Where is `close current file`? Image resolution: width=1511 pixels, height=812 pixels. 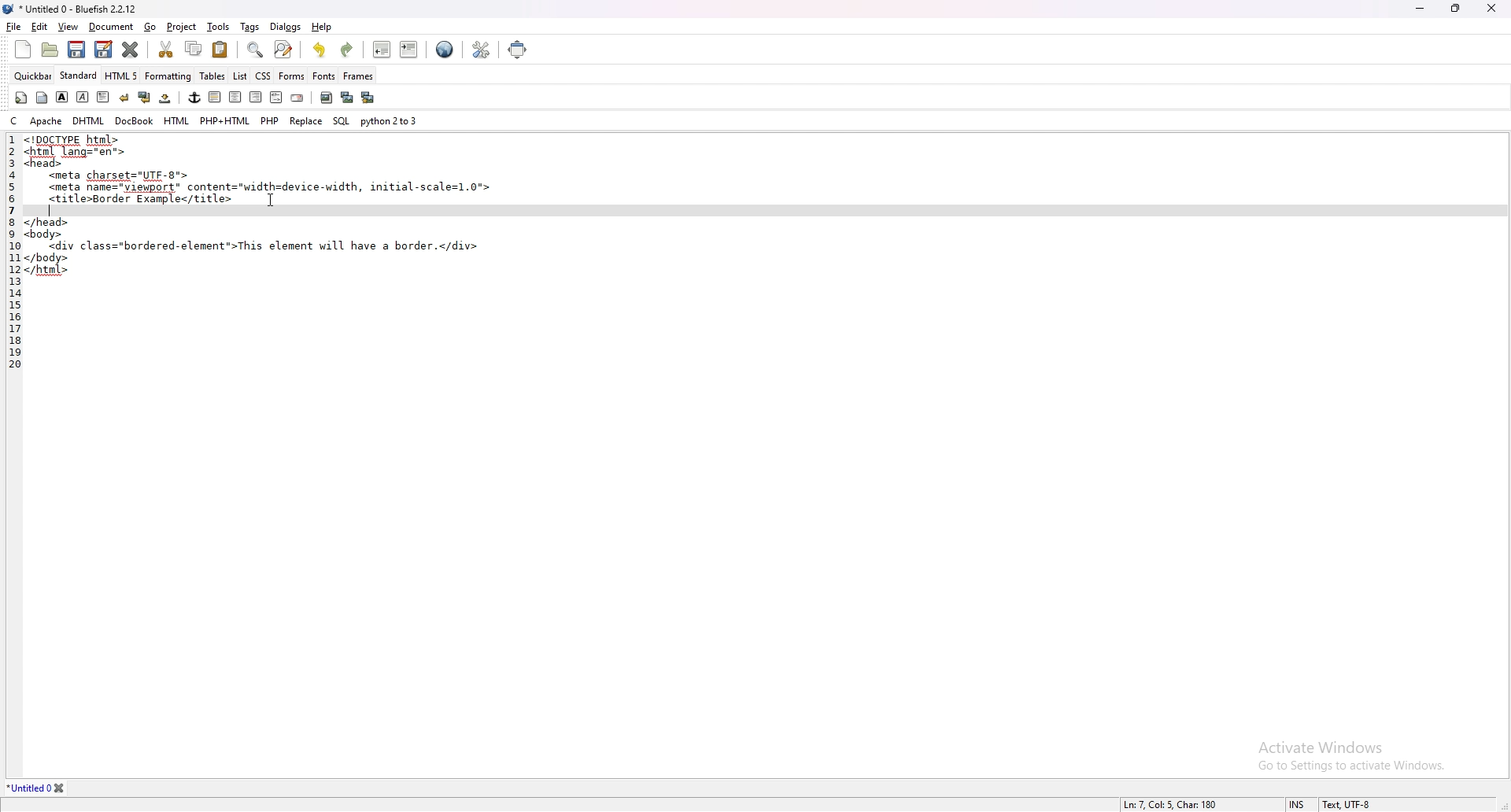 close current file is located at coordinates (130, 49).